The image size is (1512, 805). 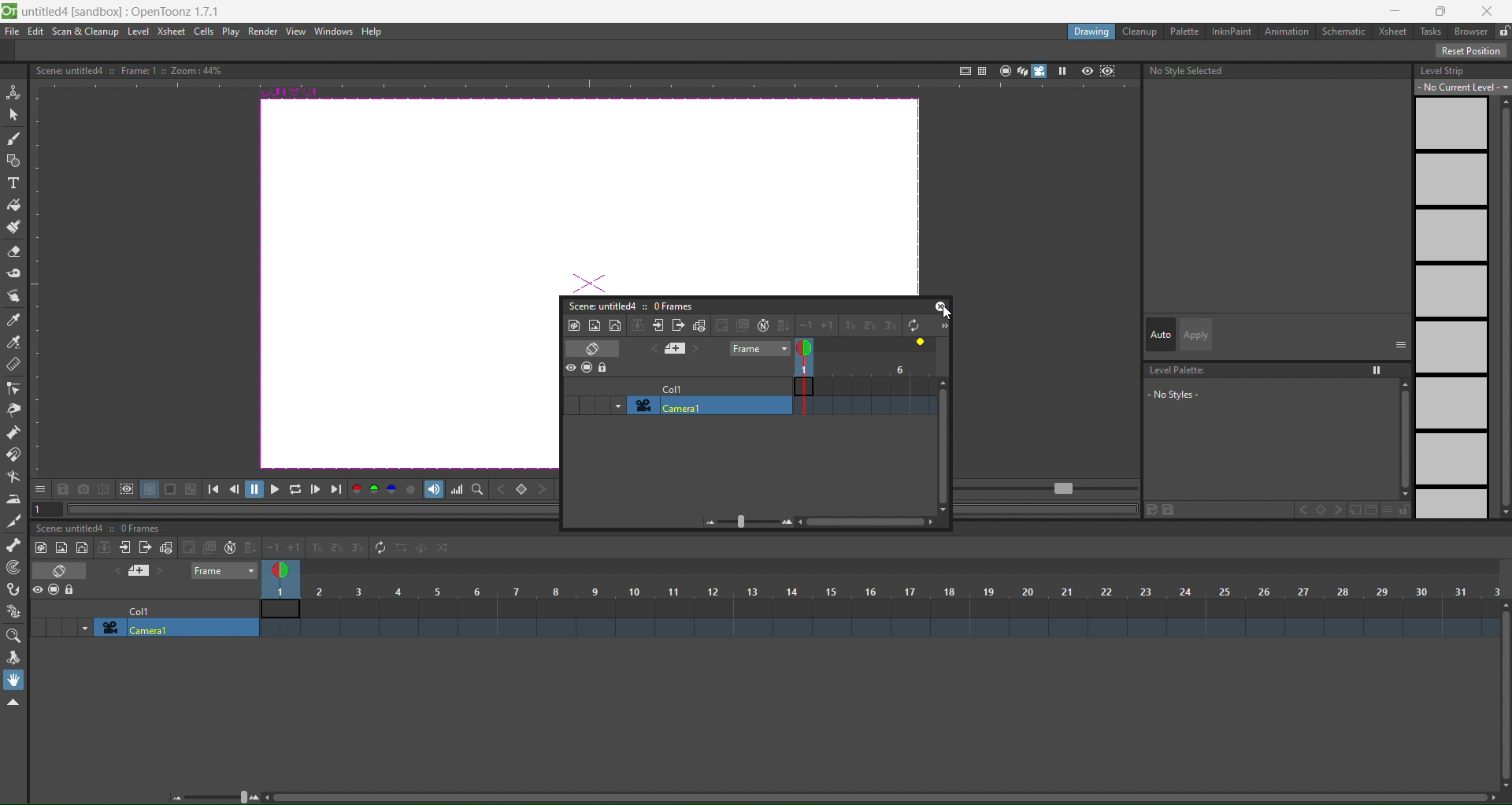 I want to click on file, so click(x=13, y=32).